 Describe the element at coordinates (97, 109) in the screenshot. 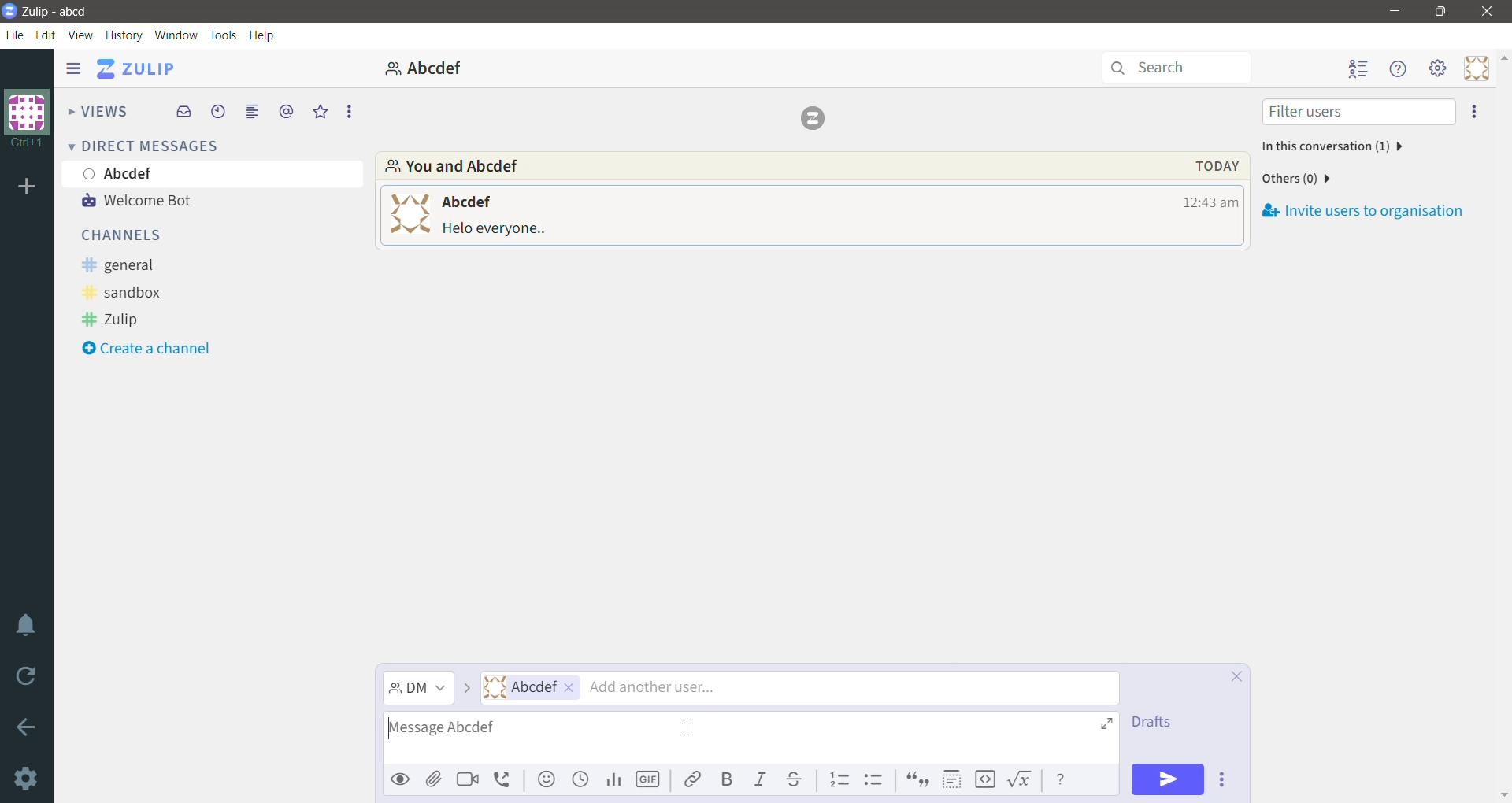

I see `Views` at that location.